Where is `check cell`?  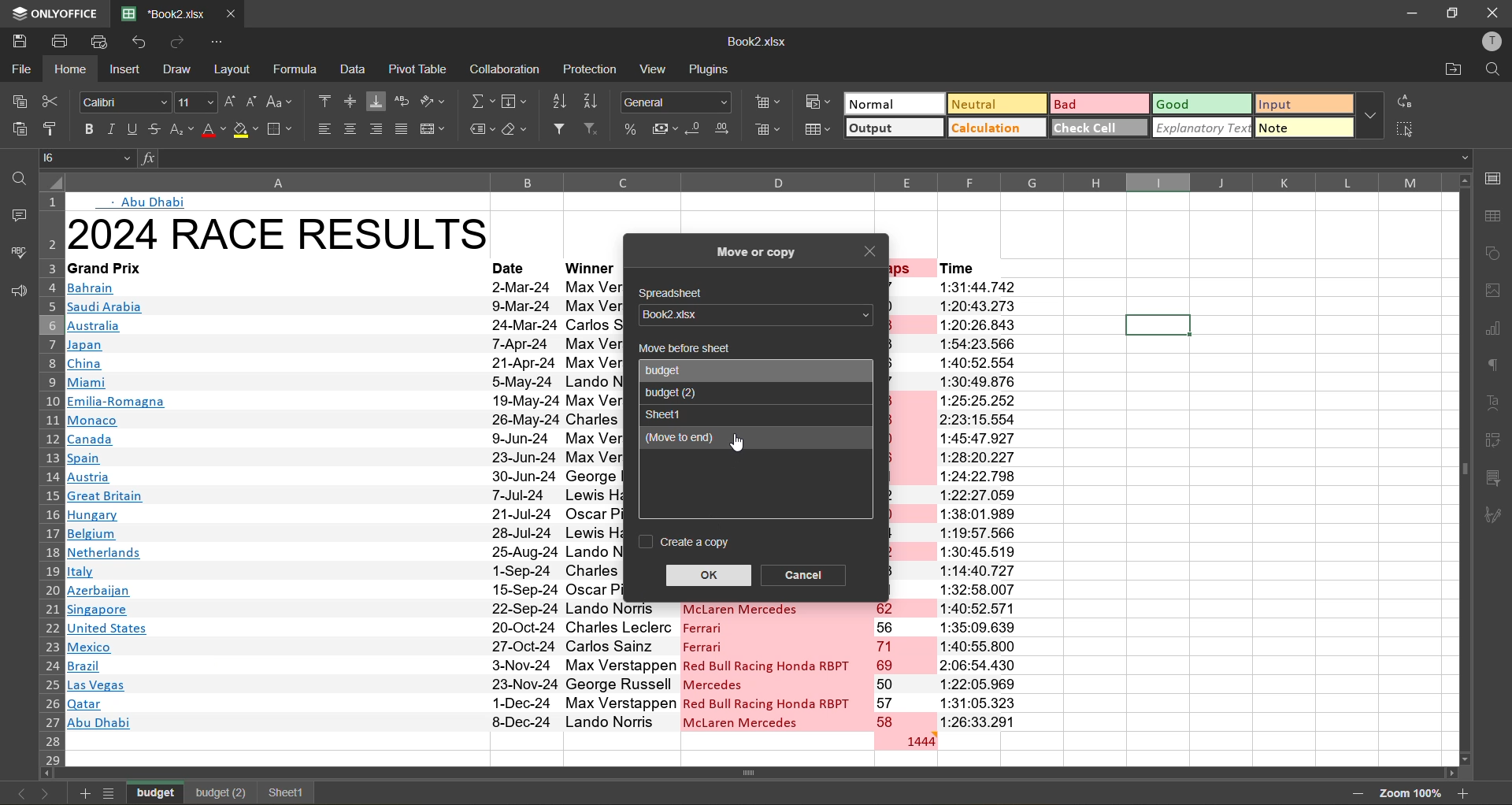 check cell is located at coordinates (1099, 127).